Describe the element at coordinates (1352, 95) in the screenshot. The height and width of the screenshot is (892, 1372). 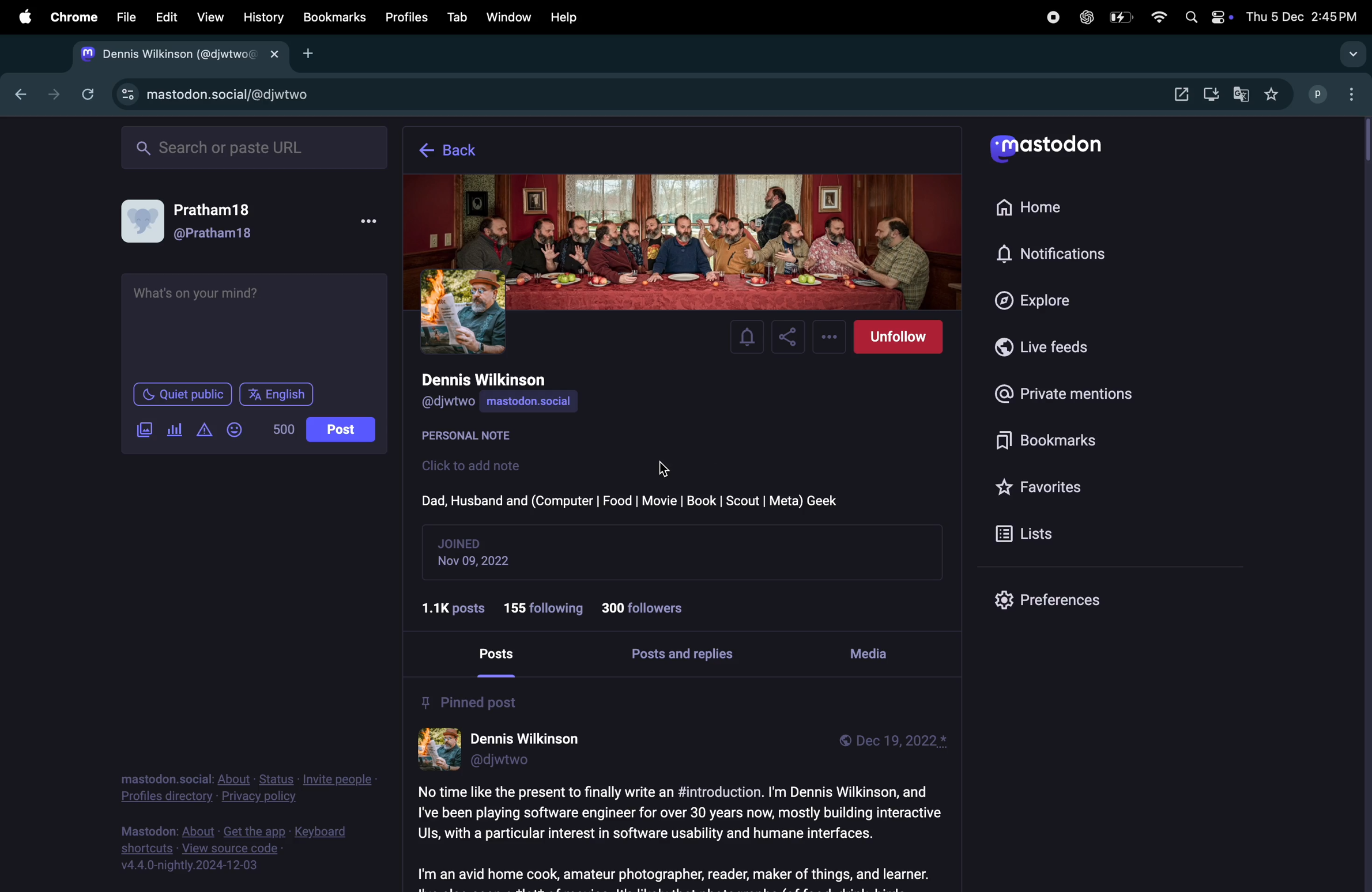
I see `option` at that location.